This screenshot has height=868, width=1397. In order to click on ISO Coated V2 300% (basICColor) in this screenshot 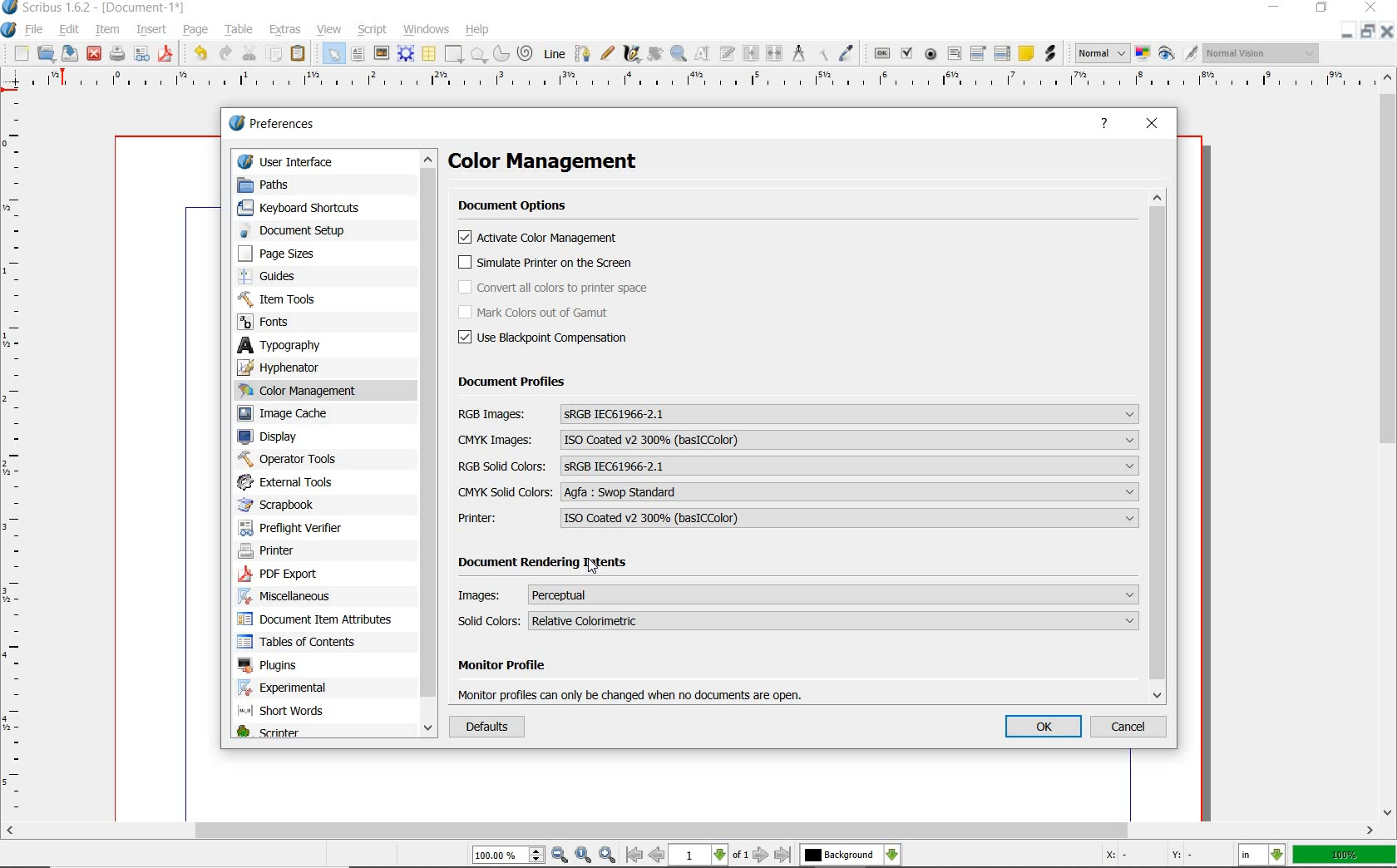, I will do `click(850, 520)`.